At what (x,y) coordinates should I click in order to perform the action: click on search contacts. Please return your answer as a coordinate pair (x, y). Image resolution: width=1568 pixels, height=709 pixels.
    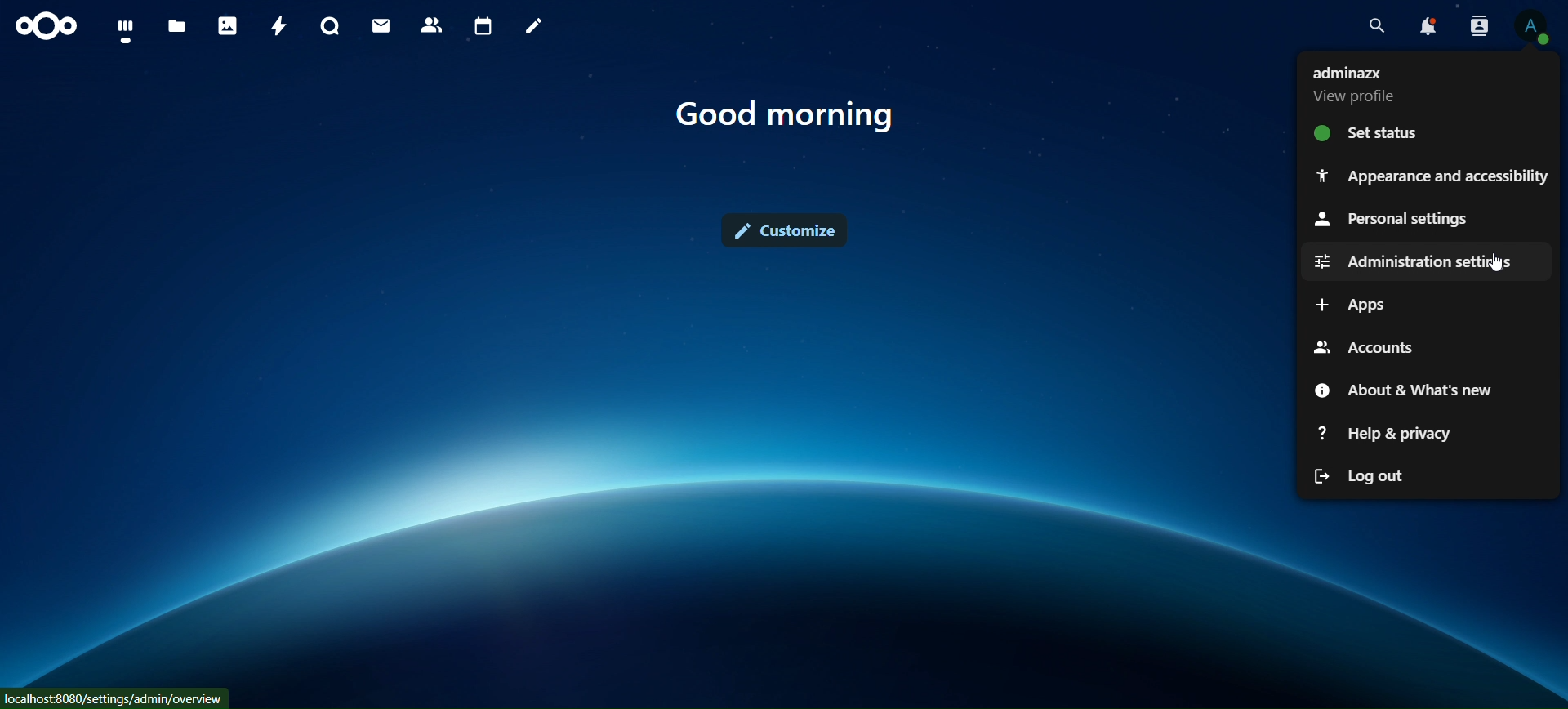
    Looking at the image, I should click on (1472, 25).